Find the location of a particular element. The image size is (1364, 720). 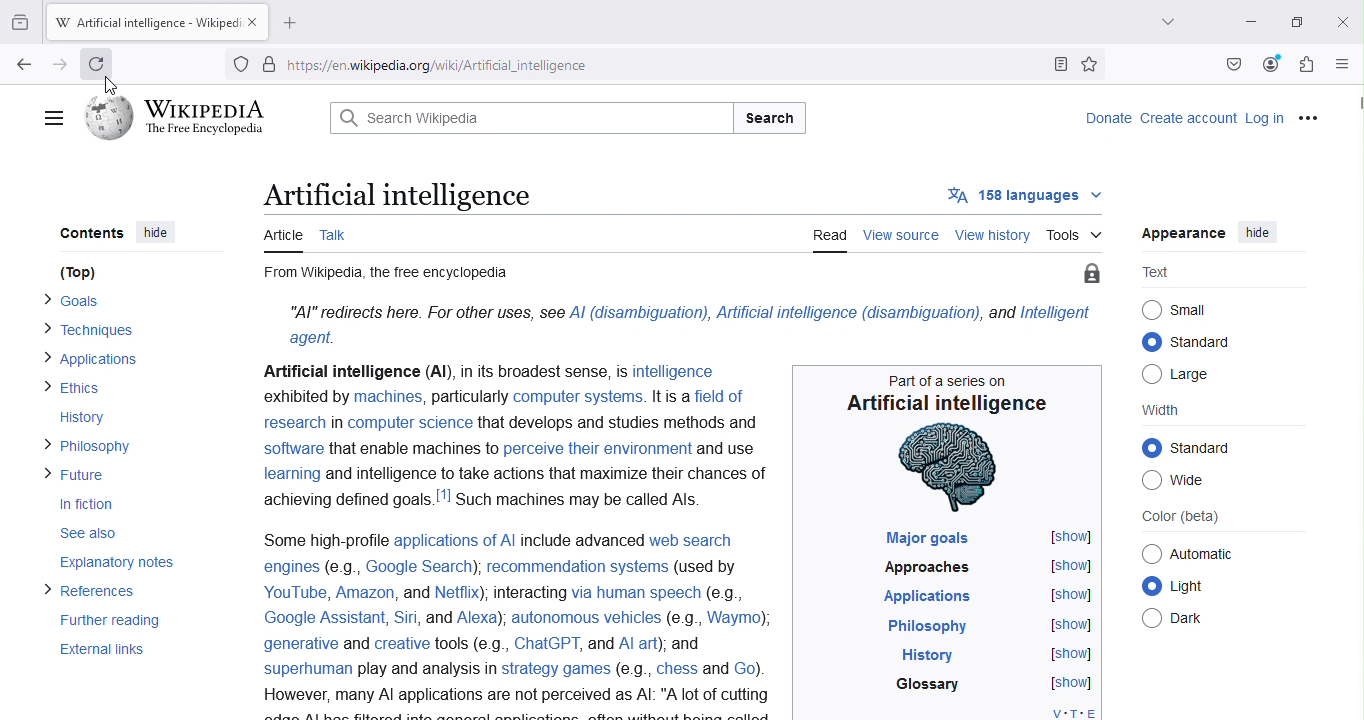

Waymo) is located at coordinates (737, 619).